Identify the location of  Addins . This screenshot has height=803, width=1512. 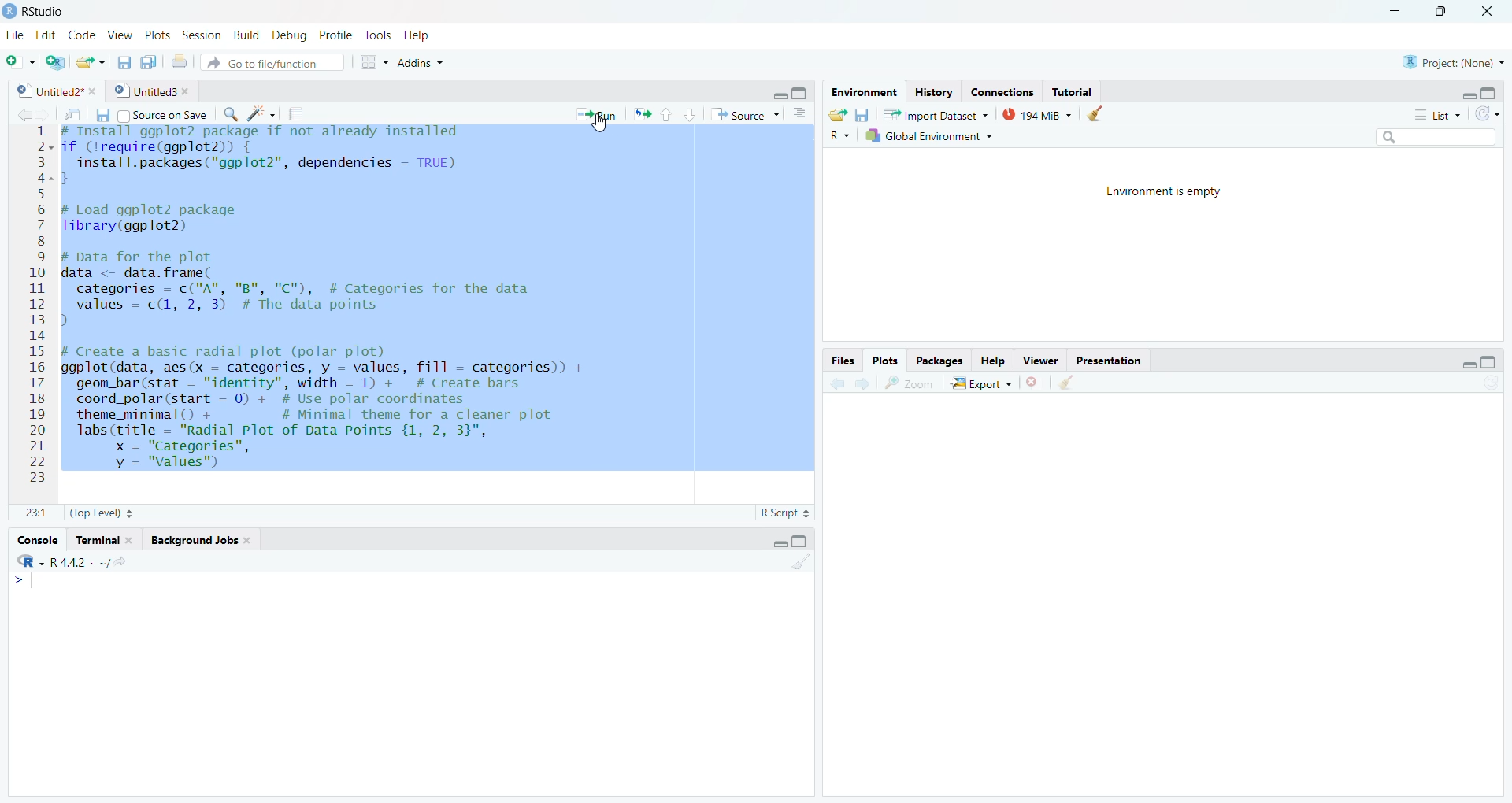
(422, 61).